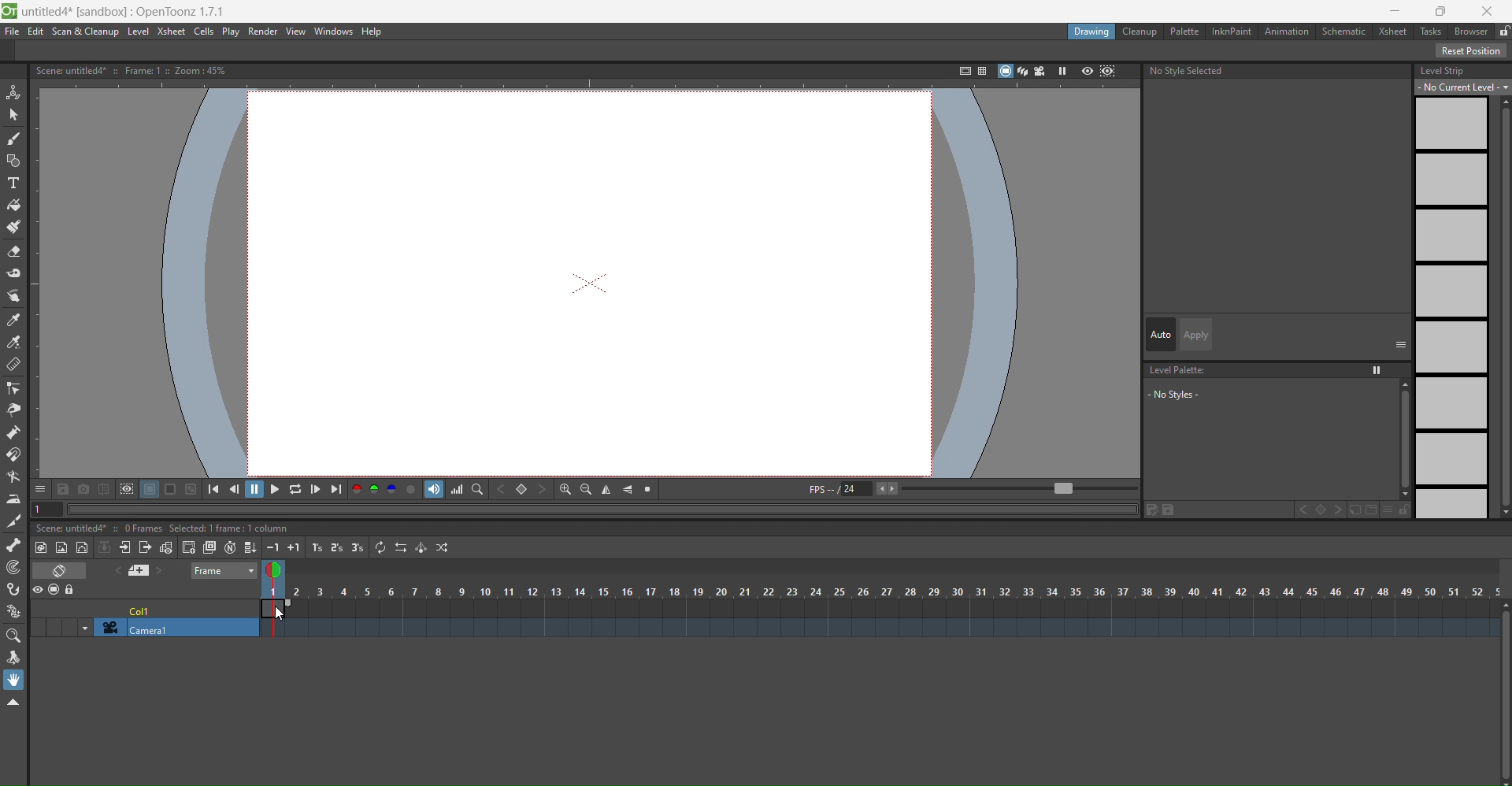  Describe the element at coordinates (13, 297) in the screenshot. I see `finger tool` at that location.